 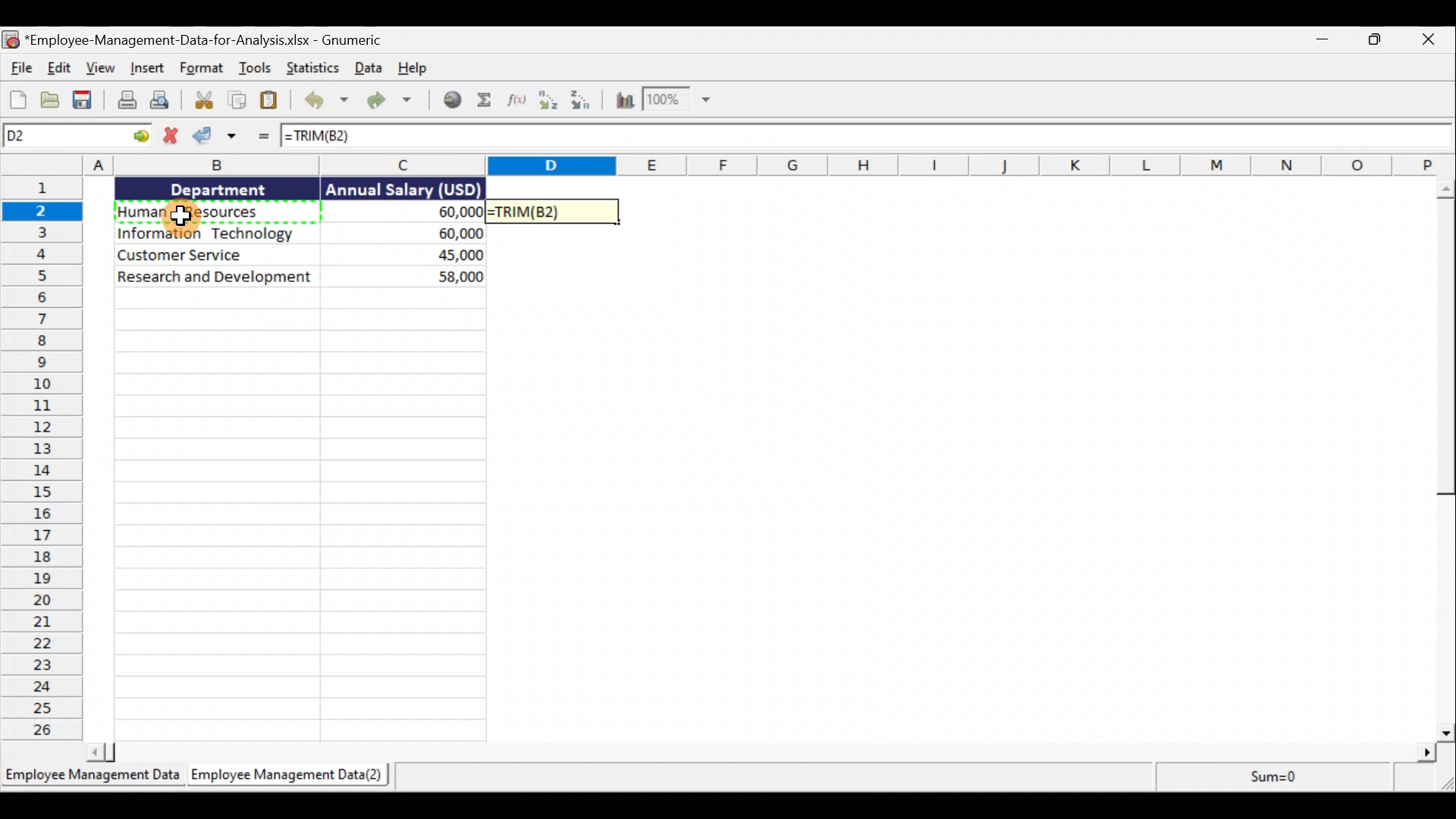 What do you see at coordinates (123, 102) in the screenshot?
I see `Print the current file` at bounding box center [123, 102].